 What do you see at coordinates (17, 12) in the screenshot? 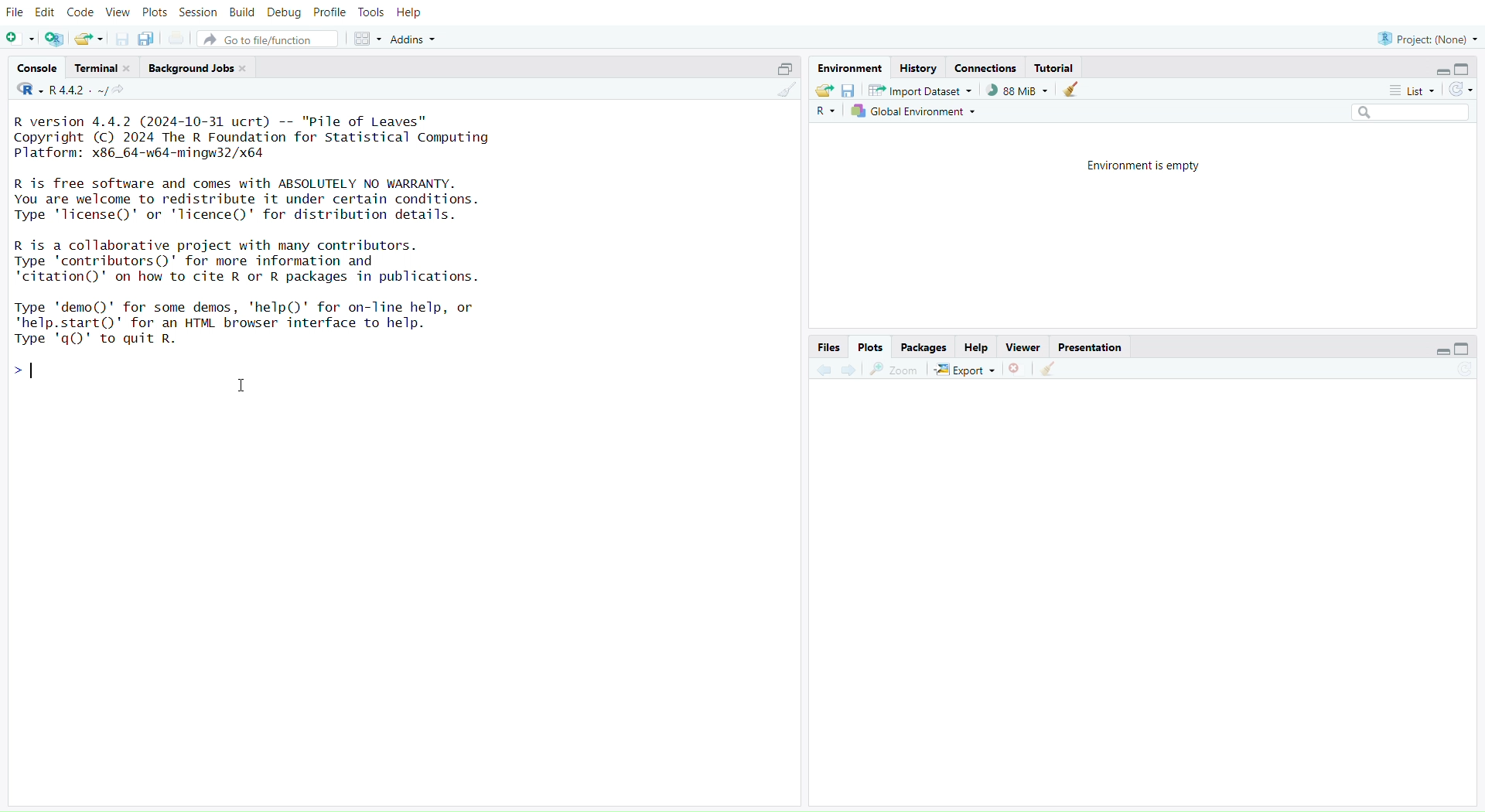
I see `file` at bounding box center [17, 12].